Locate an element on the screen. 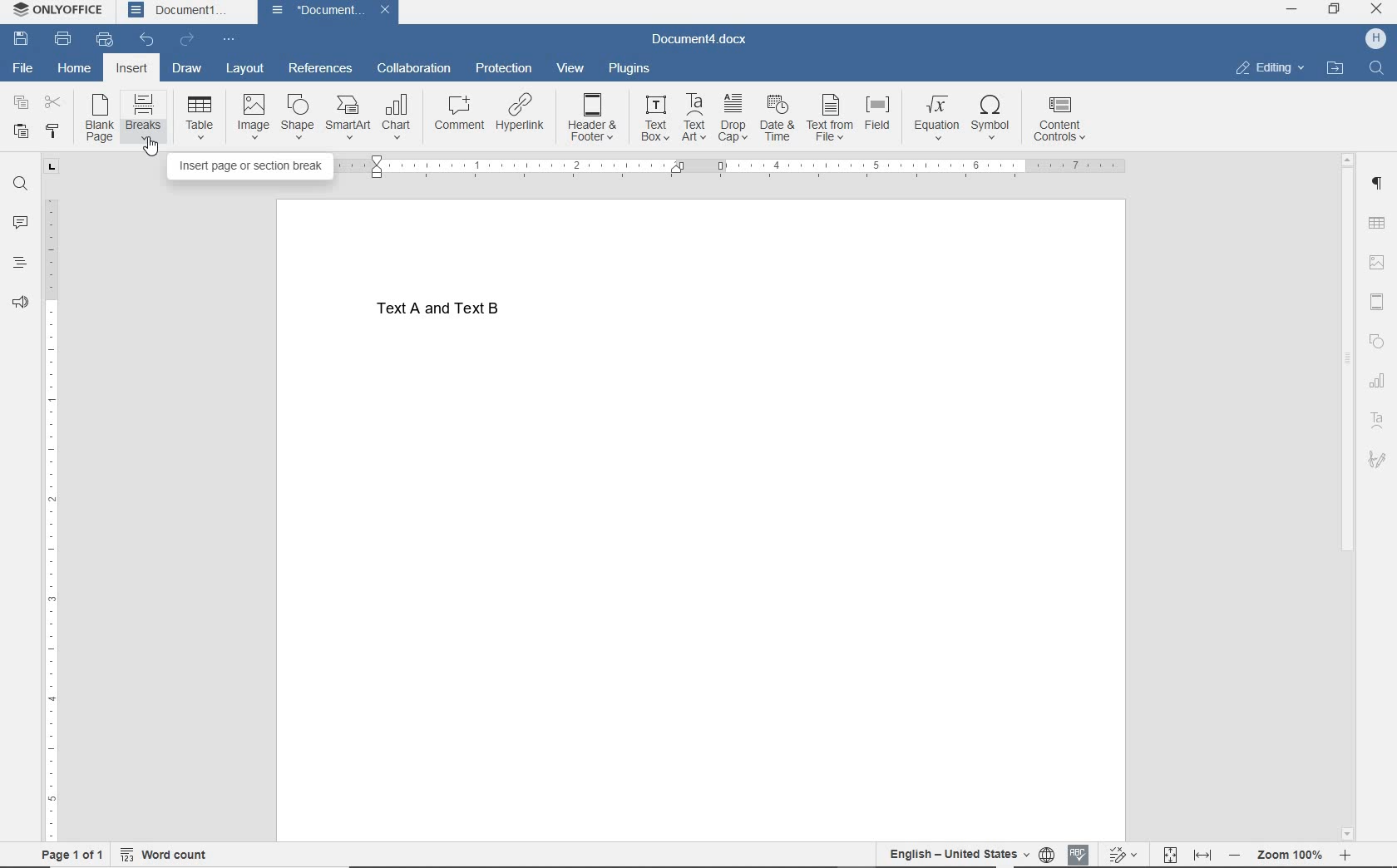  HOME is located at coordinates (74, 68).